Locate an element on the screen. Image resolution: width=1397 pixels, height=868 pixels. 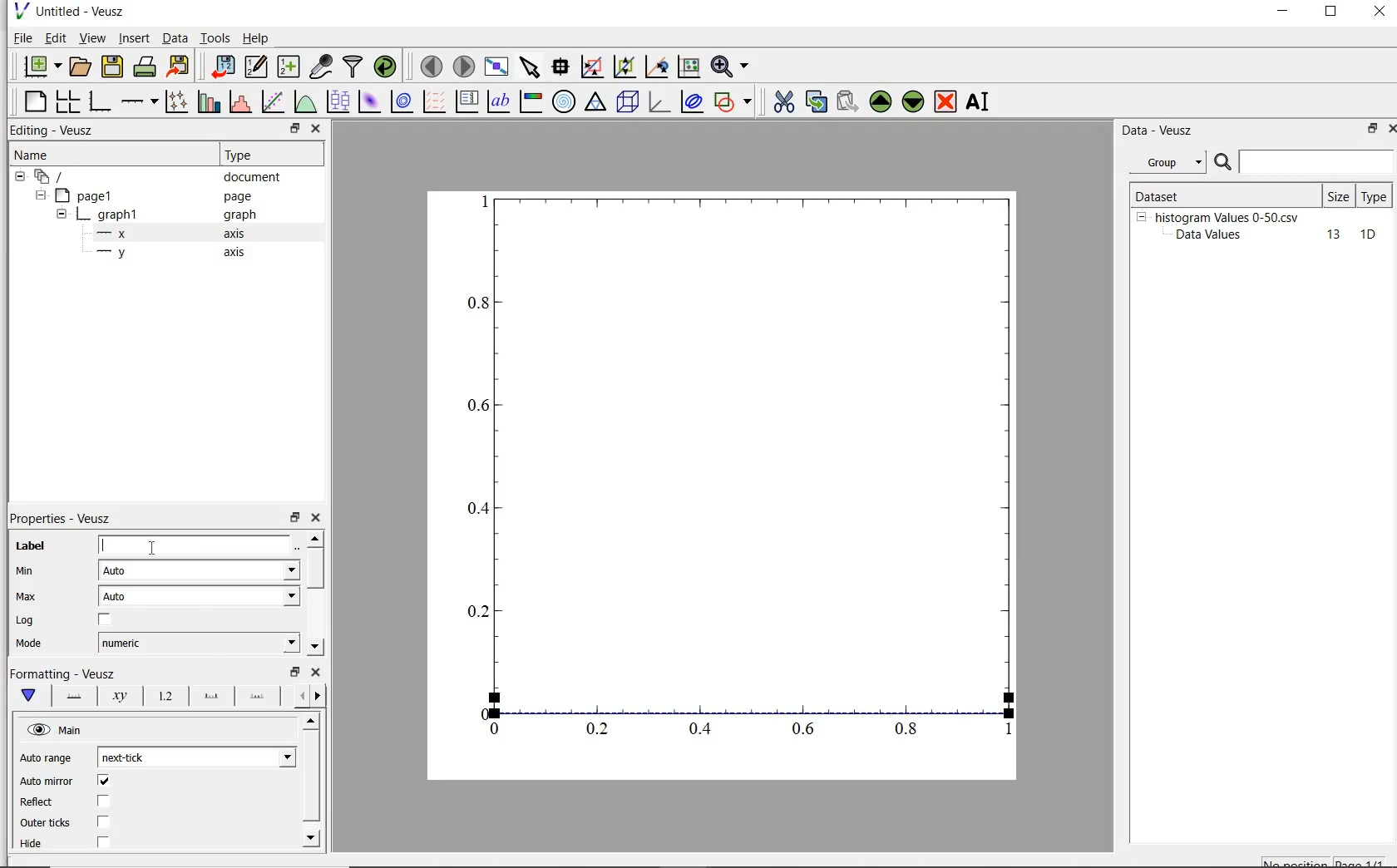
polar graph is located at coordinates (564, 101).